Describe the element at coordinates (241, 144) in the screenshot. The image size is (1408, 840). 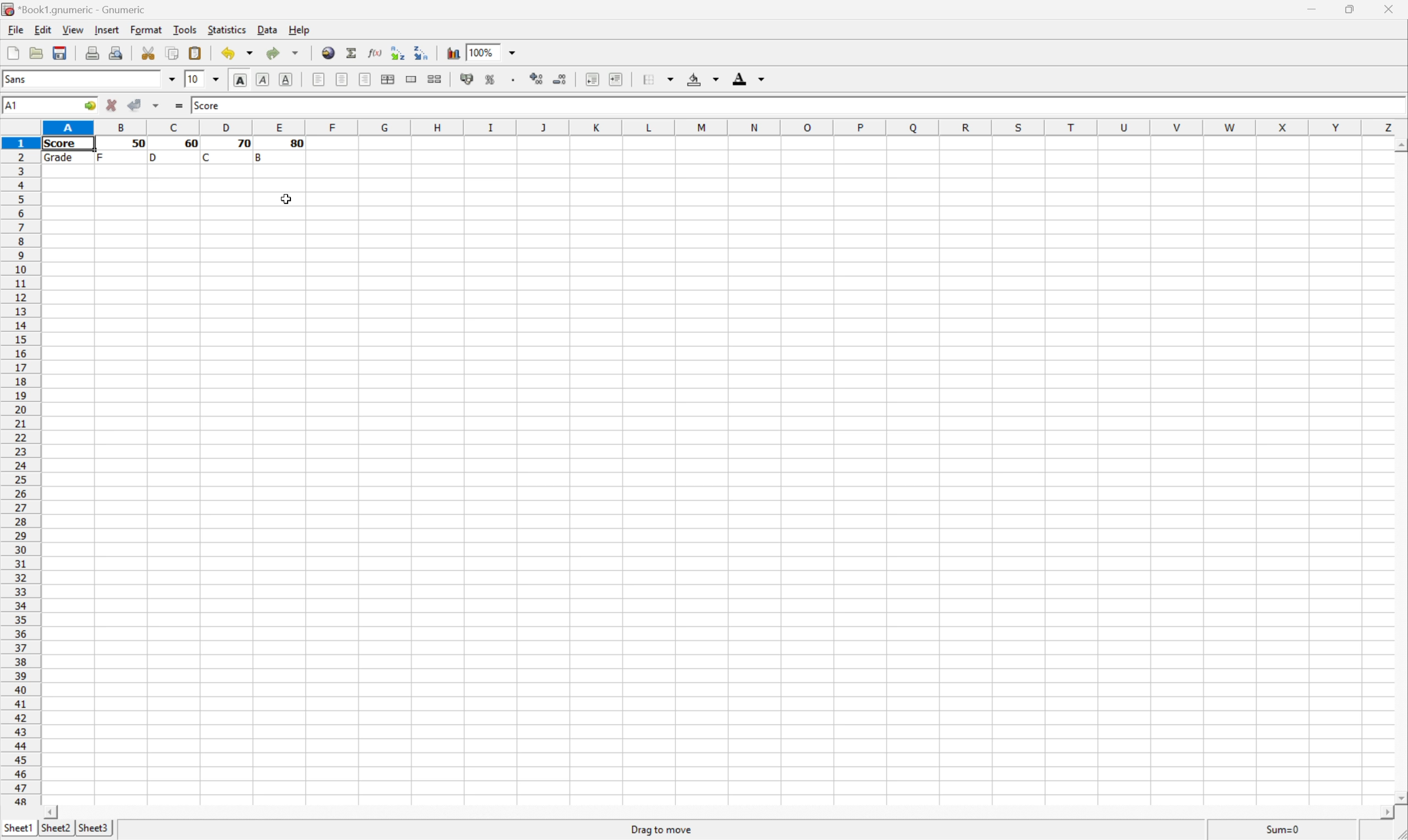
I see `70` at that location.